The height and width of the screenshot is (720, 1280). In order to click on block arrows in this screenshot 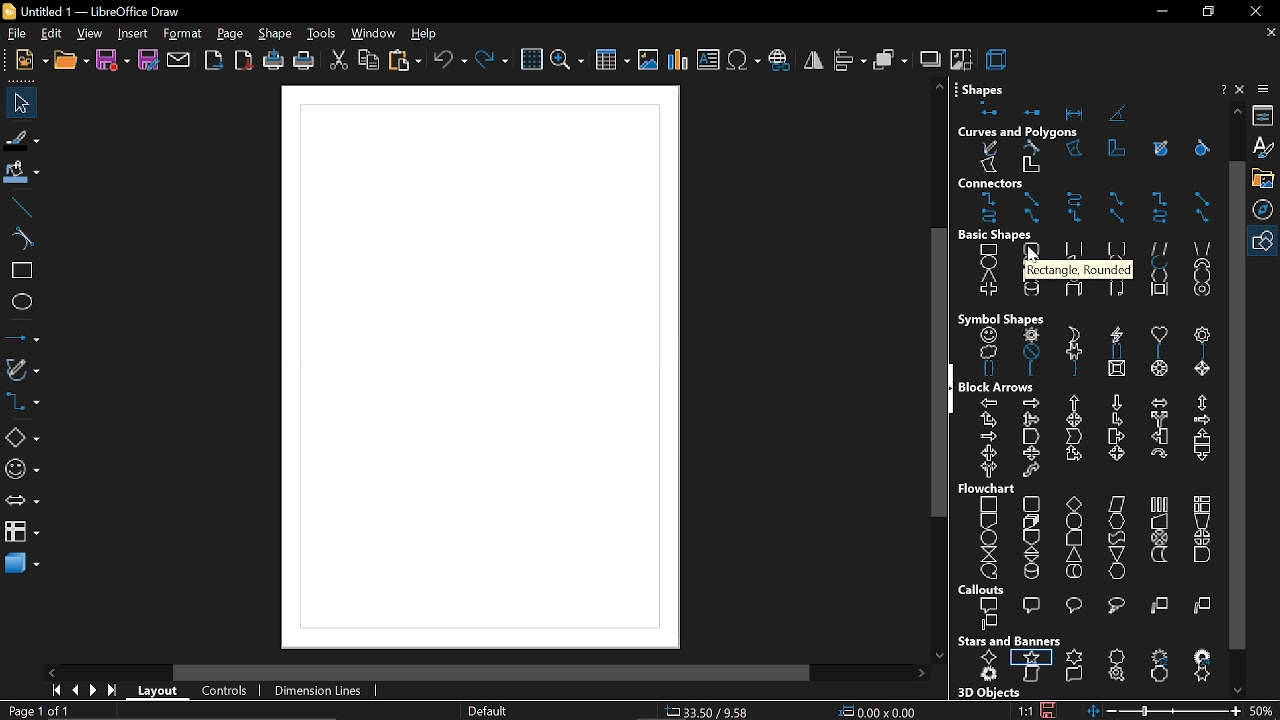, I will do `click(1090, 438)`.